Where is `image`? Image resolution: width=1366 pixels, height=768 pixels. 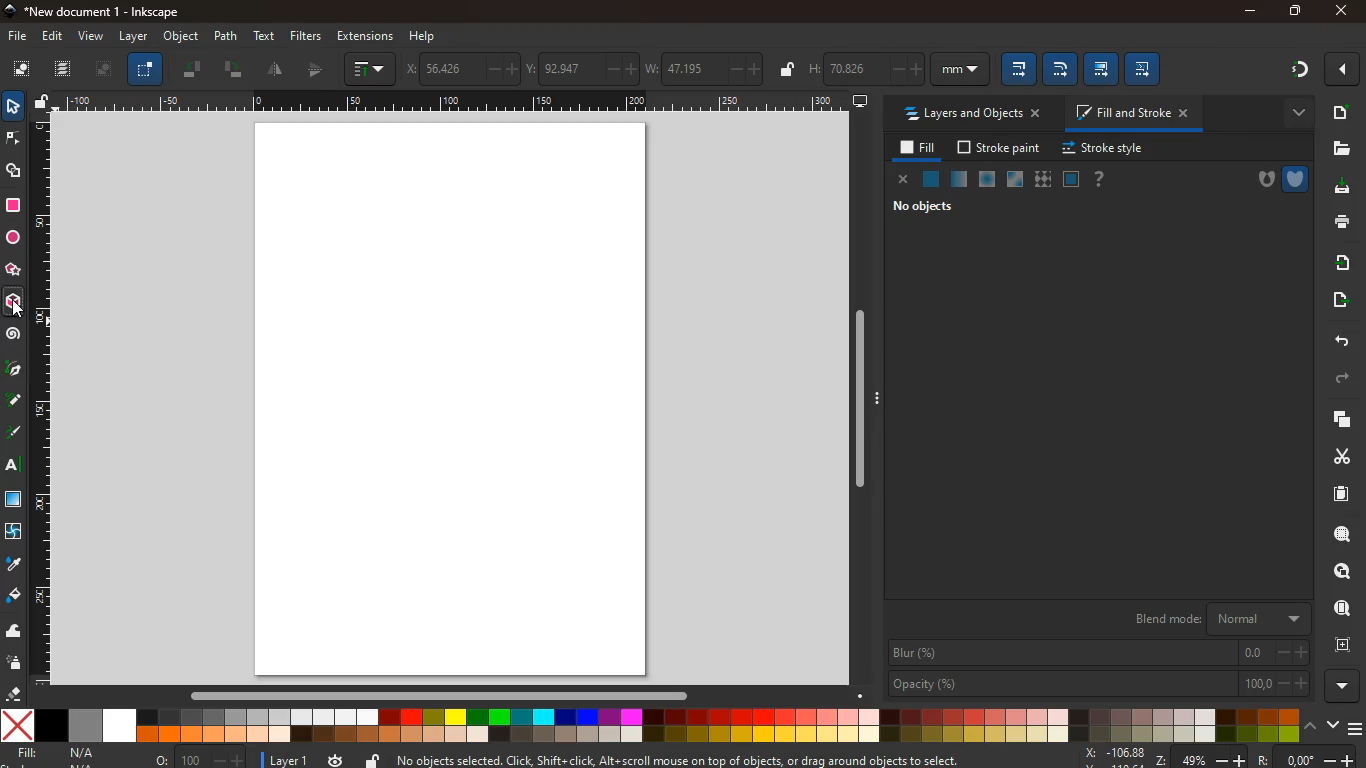
image is located at coordinates (104, 72).